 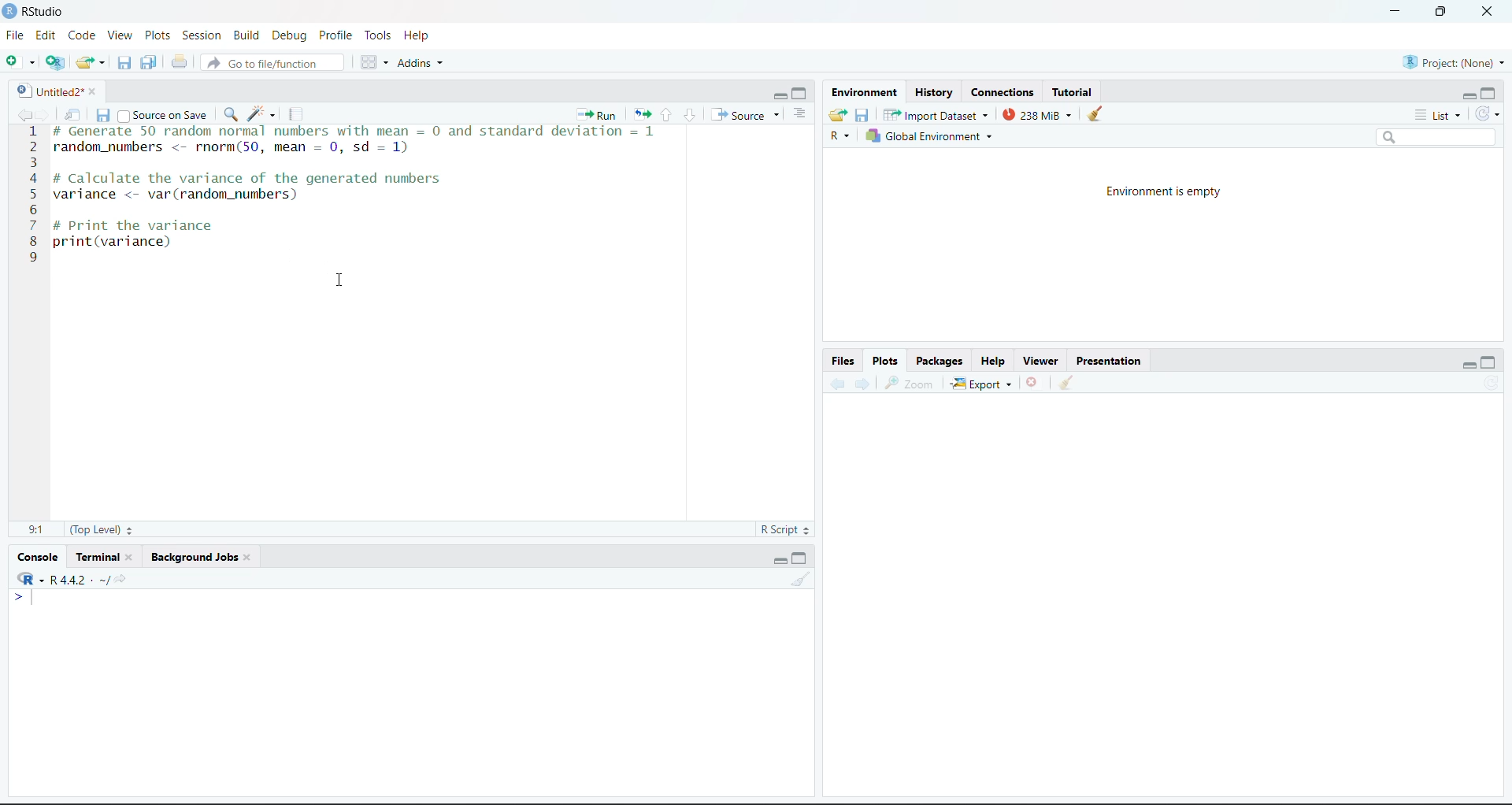 I want to click on R Script , so click(x=784, y=529).